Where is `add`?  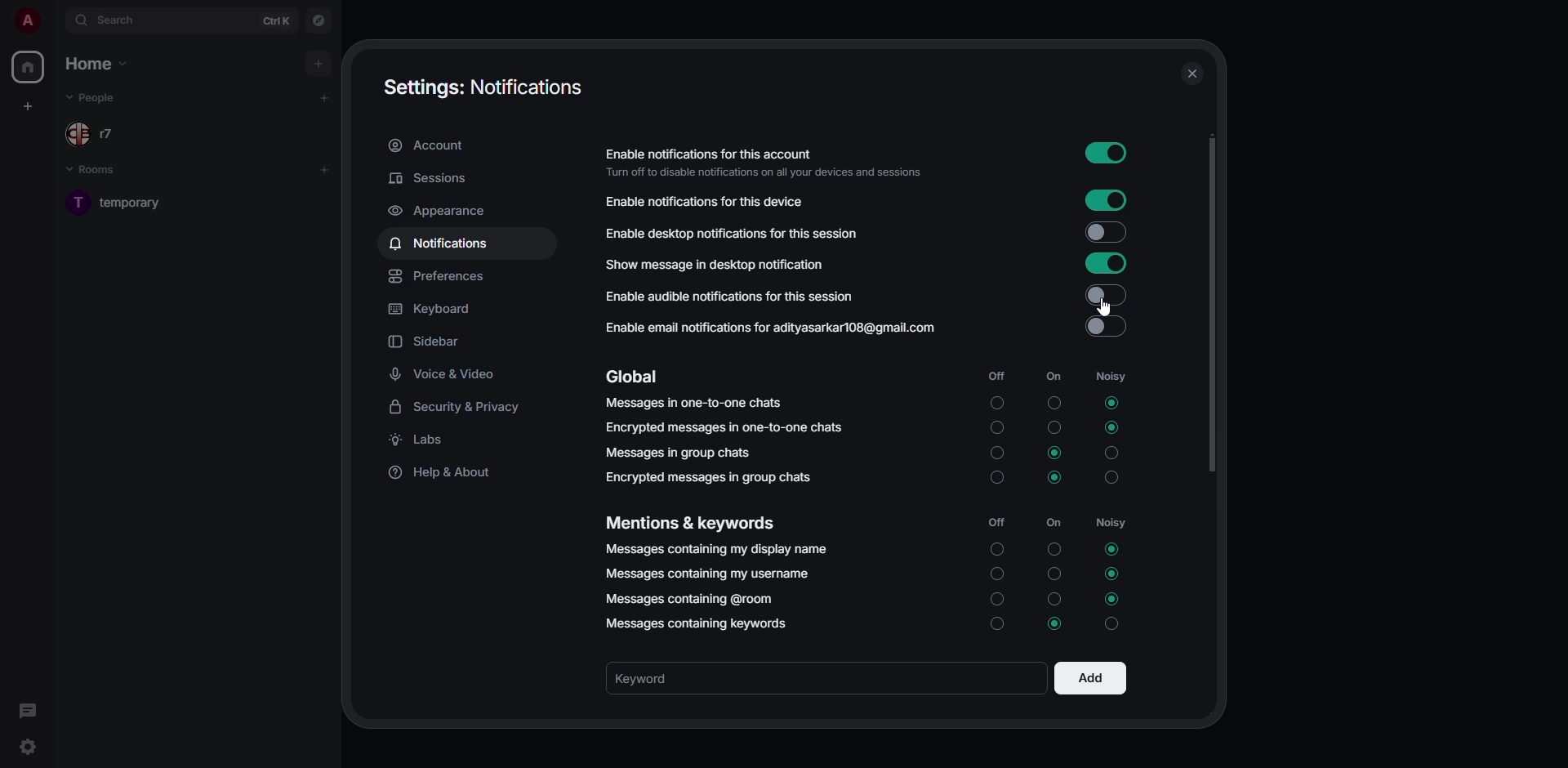 add is located at coordinates (1089, 680).